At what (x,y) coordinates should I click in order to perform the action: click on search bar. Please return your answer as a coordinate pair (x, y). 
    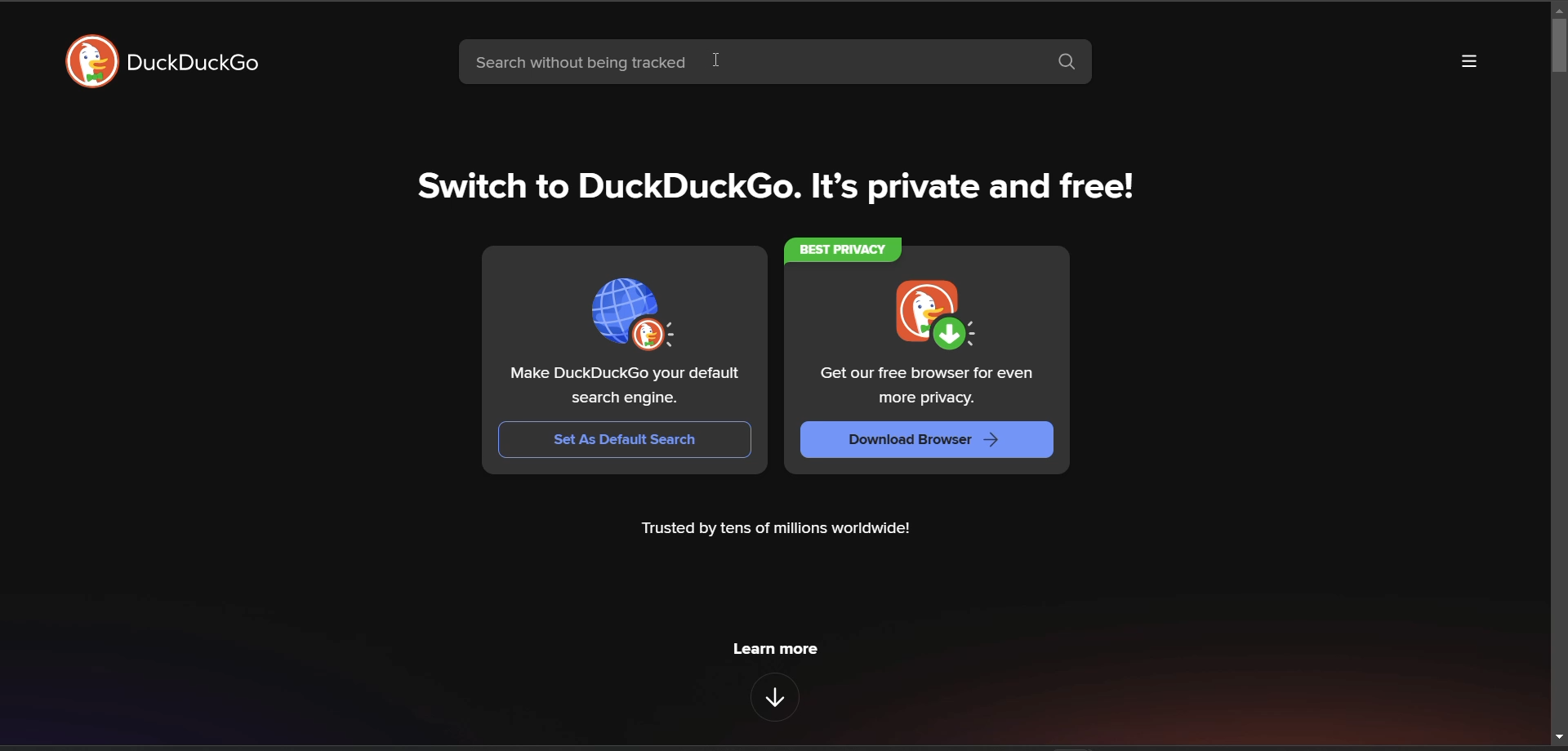
    Looking at the image, I should click on (751, 61).